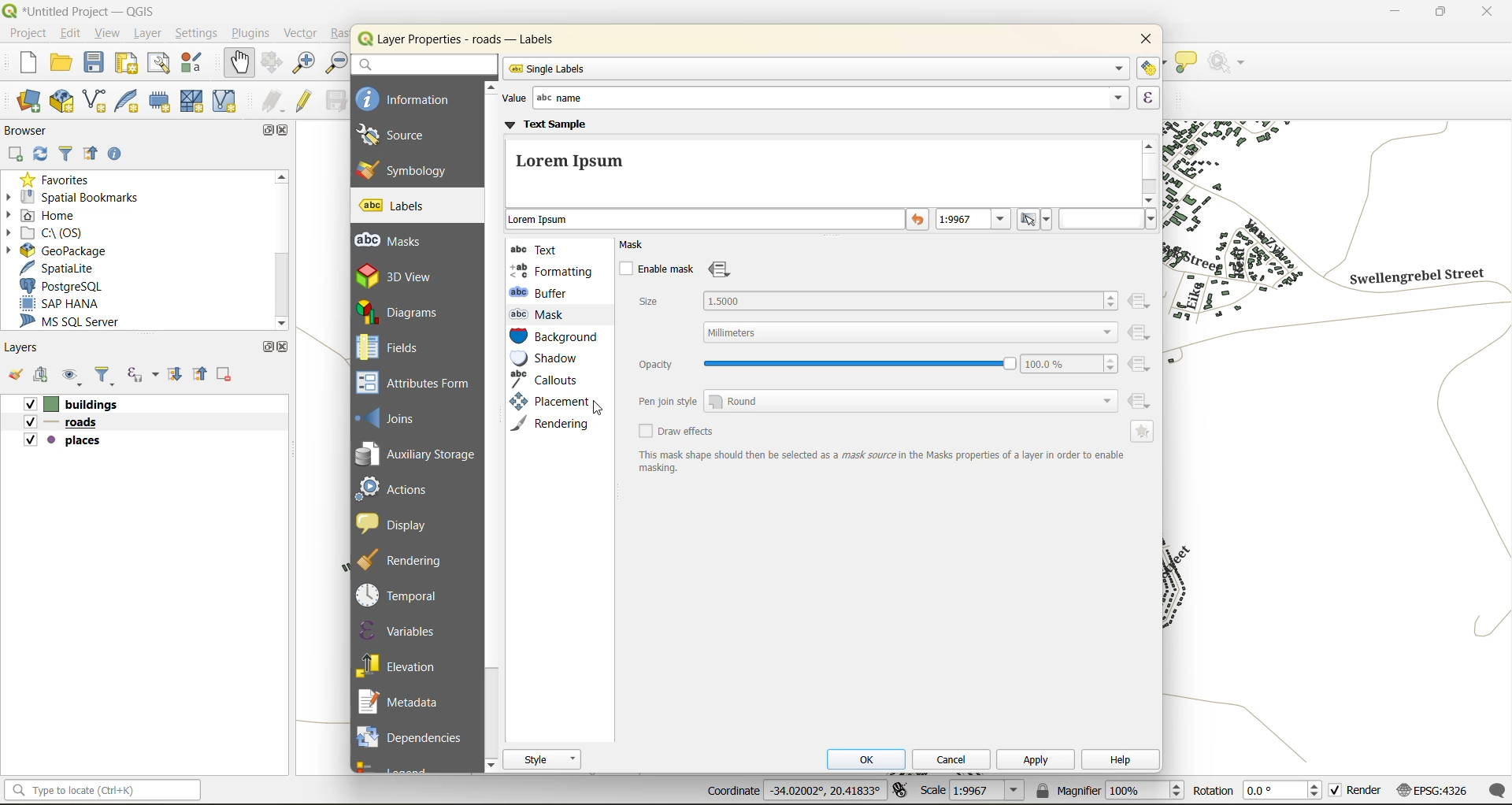 The height and width of the screenshot is (805, 1512). Describe the element at coordinates (39, 157) in the screenshot. I see `refresh` at that location.